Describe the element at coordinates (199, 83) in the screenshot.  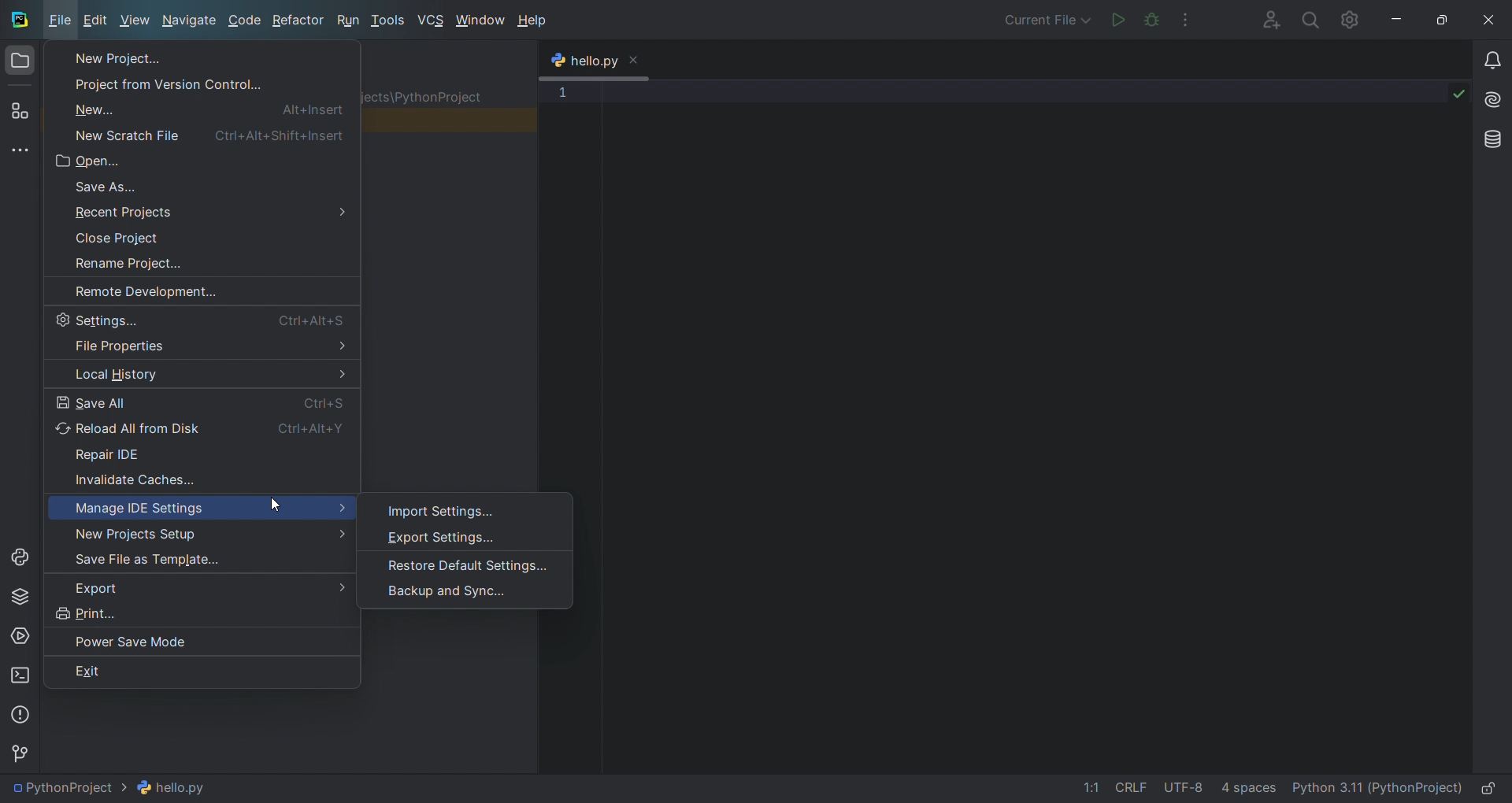
I see `project from version control` at that location.